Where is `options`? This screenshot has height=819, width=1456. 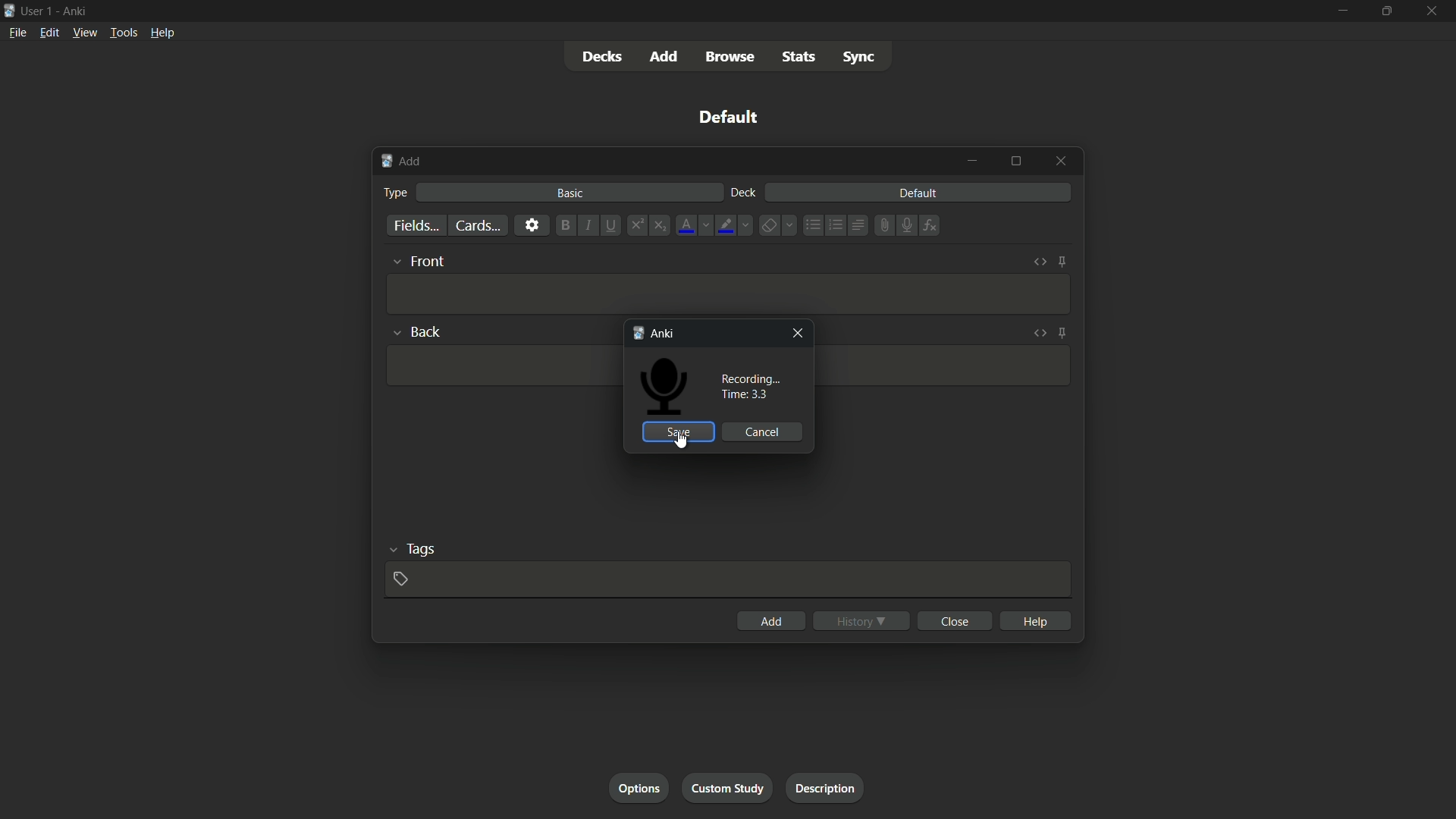
options is located at coordinates (638, 789).